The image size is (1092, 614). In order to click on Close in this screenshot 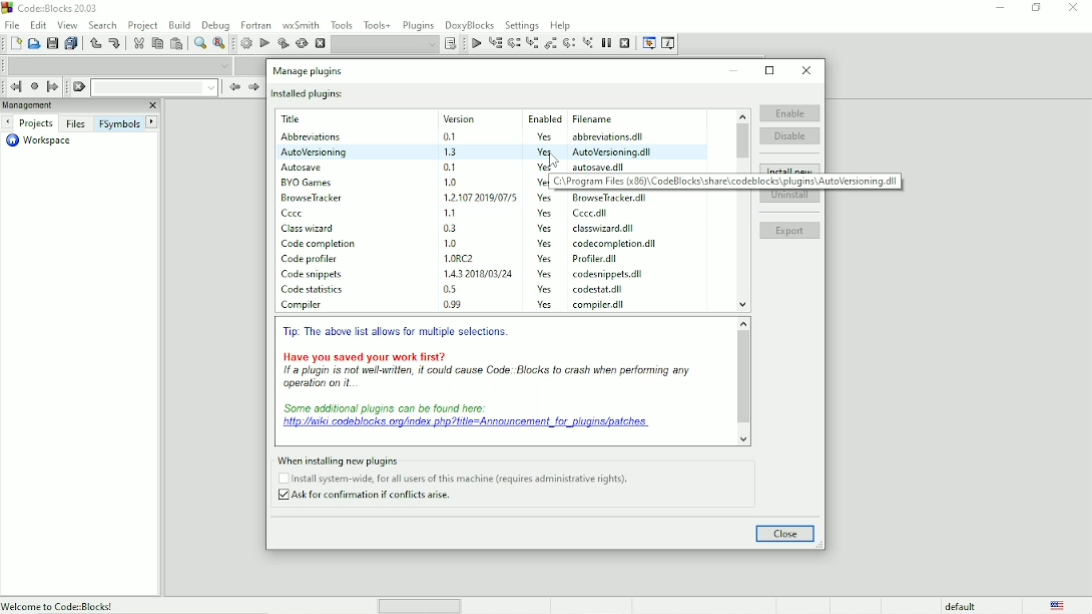, I will do `click(1074, 8)`.